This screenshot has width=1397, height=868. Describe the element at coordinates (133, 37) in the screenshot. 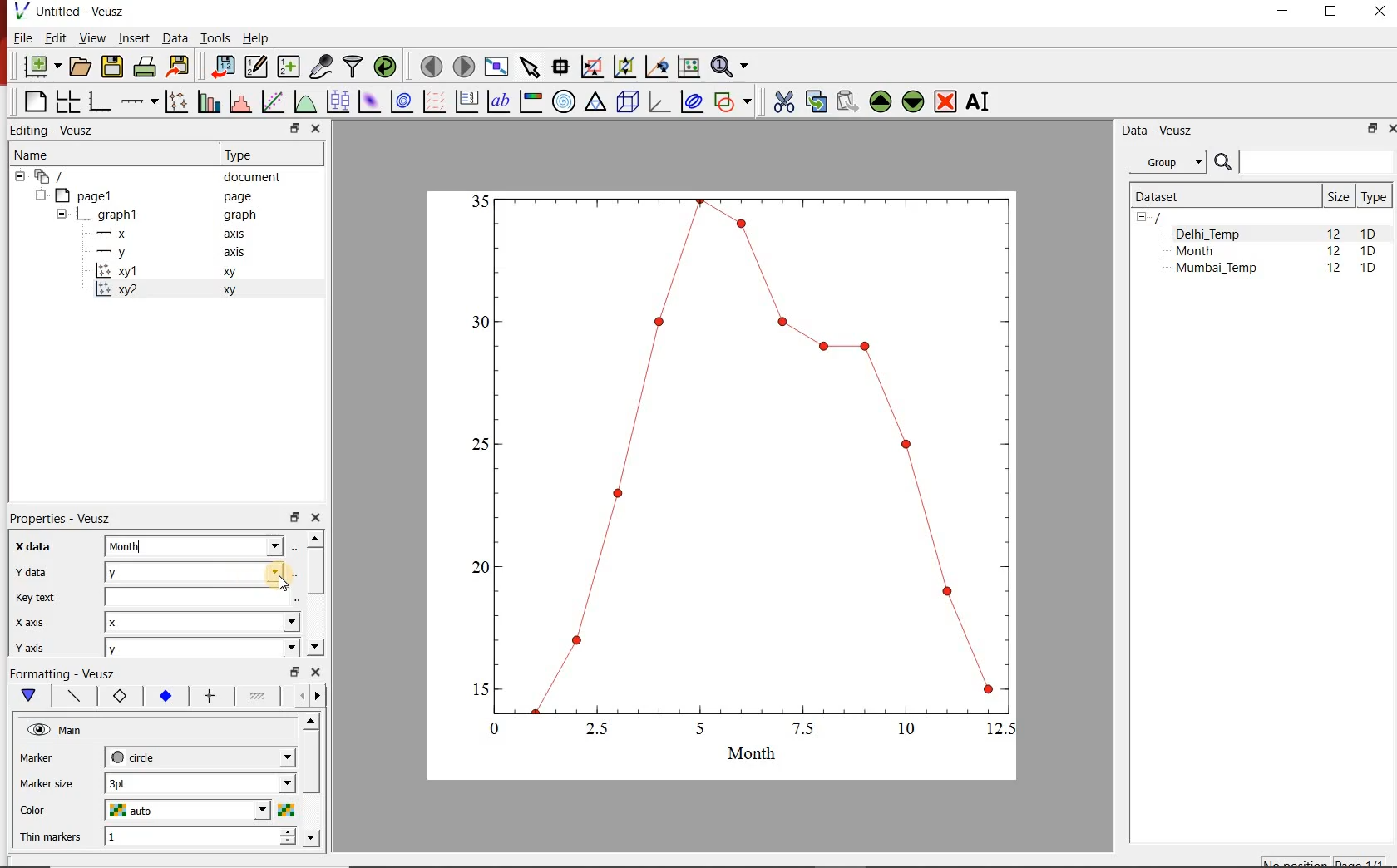

I see `Insert` at that location.